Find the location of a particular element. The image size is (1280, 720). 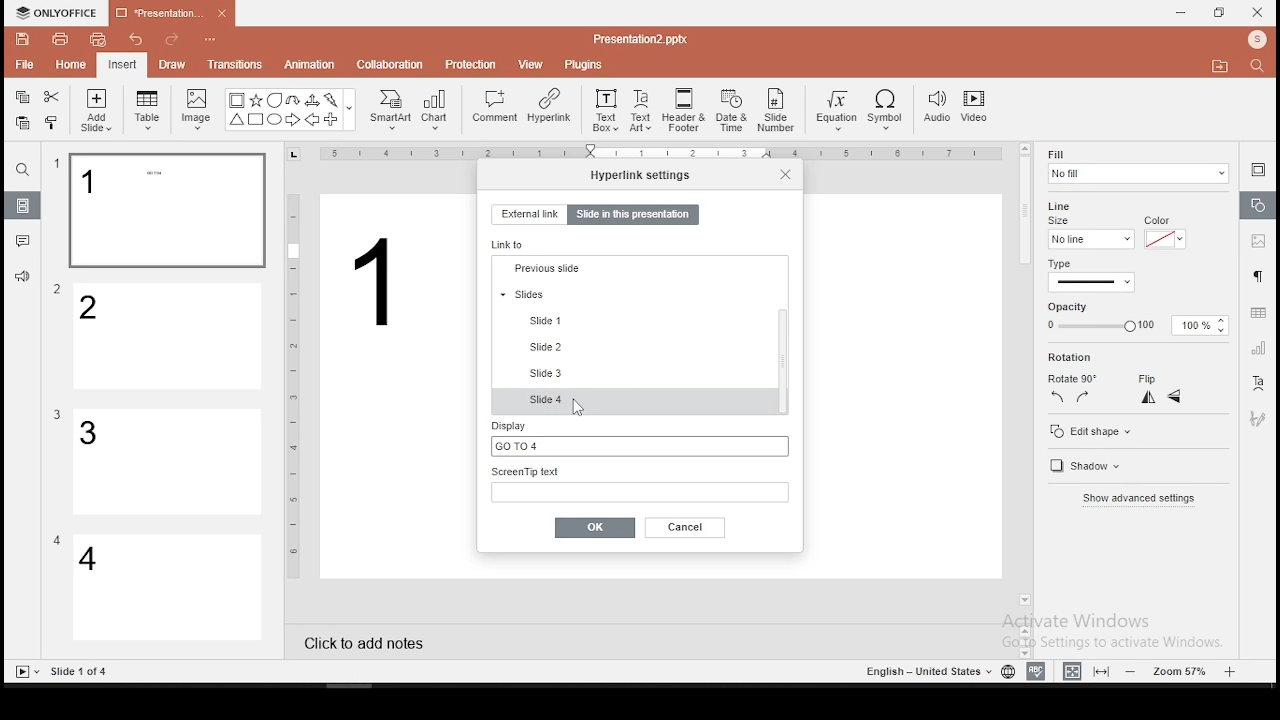

line type is located at coordinates (1090, 276).